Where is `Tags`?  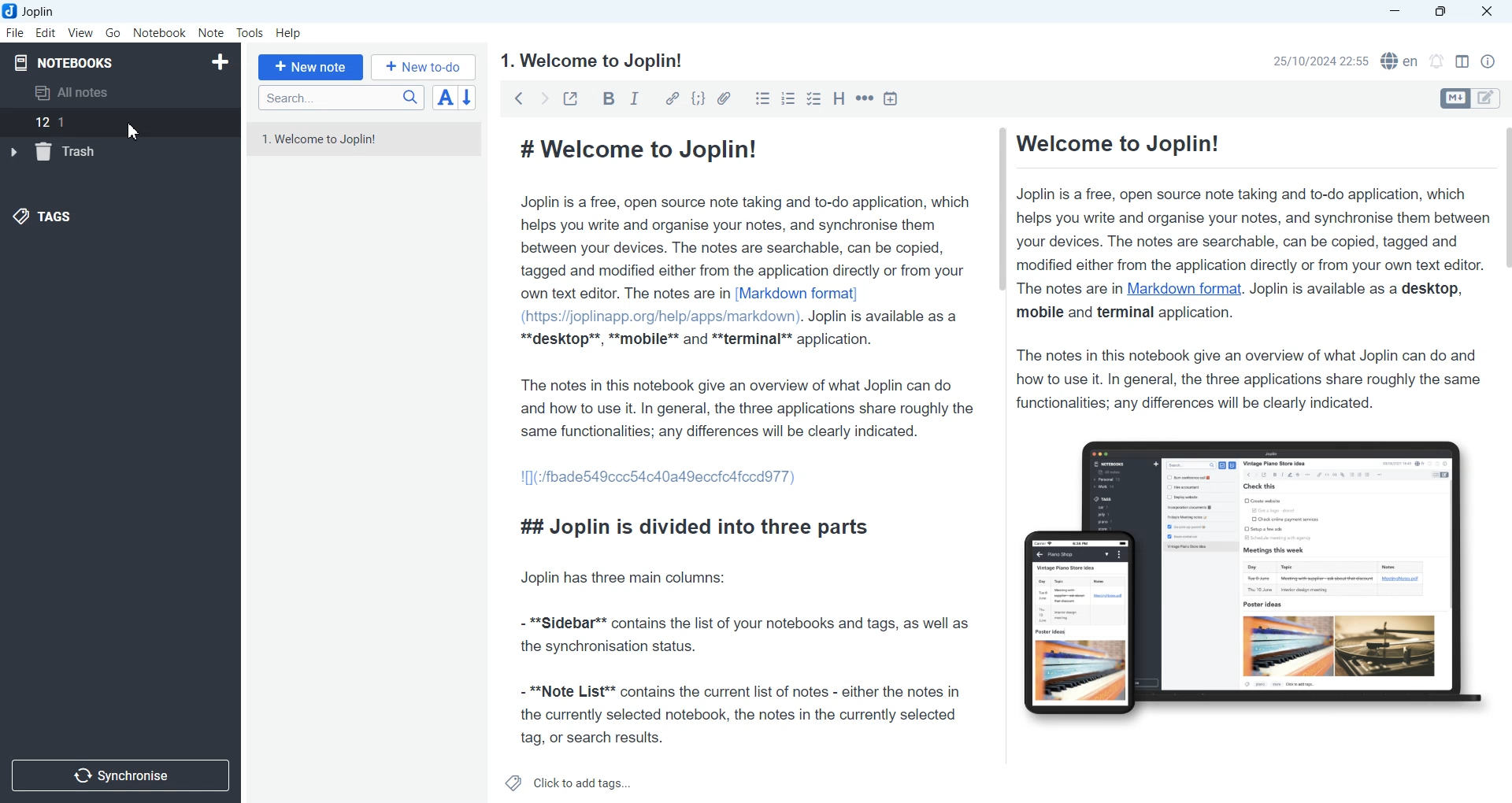 Tags is located at coordinates (44, 216).